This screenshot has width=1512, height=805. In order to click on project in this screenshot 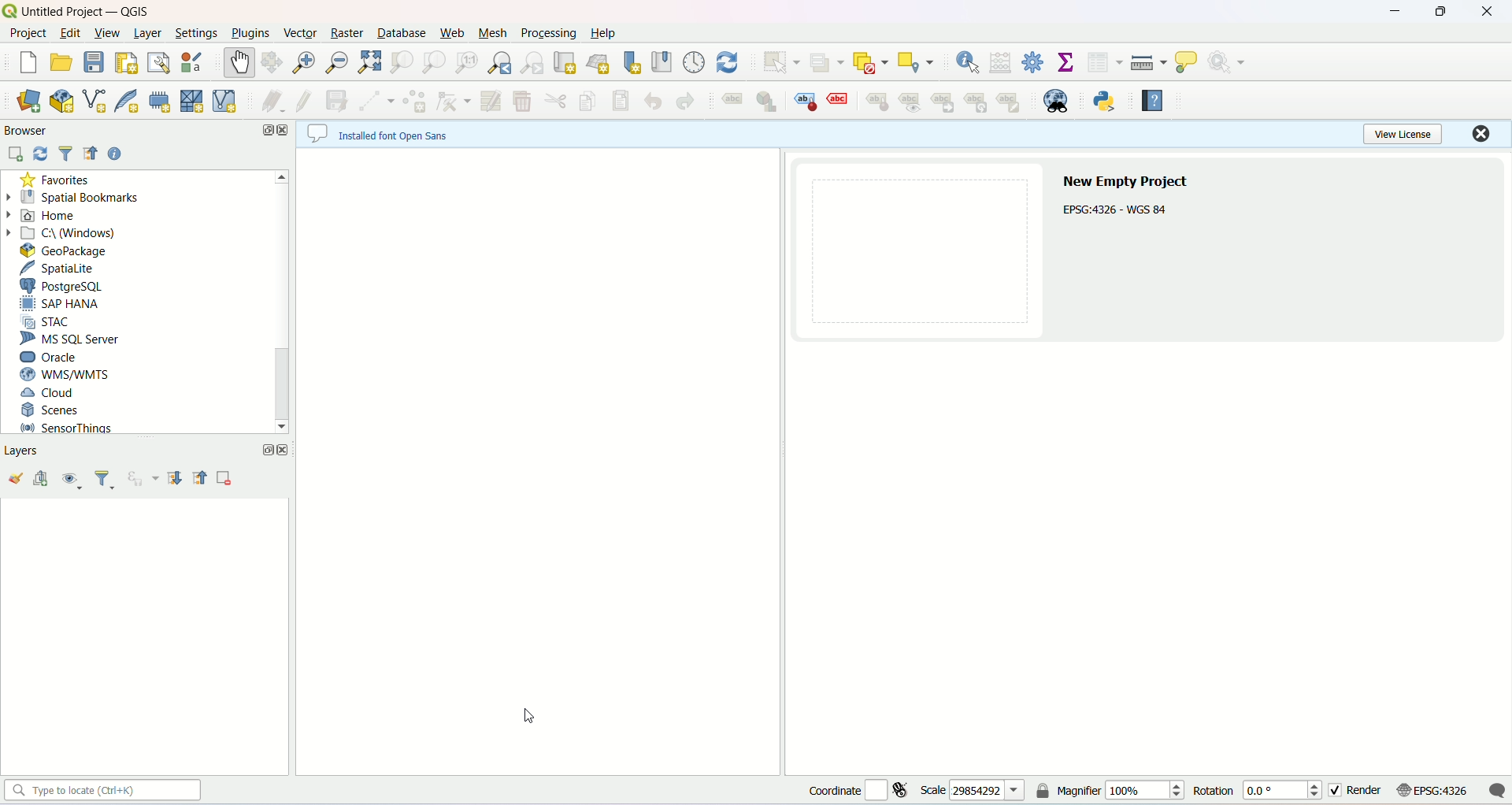, I will do `click(26, 35)`.